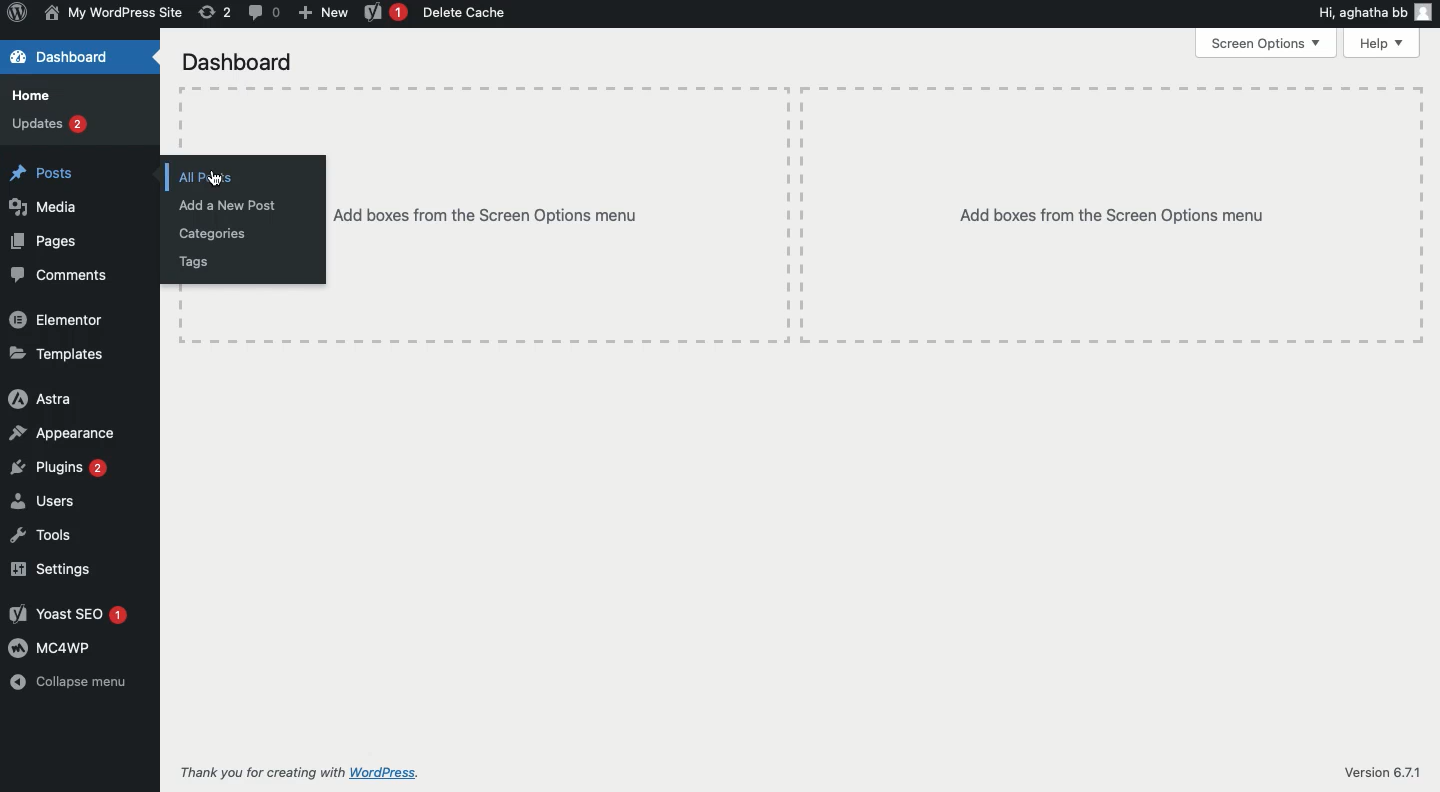 The width and height of the screenshot is (1440, 792). What do you see at coordinates (193, 263) in the screenshot?
I see `Tags` at bounding box center [193, 263].